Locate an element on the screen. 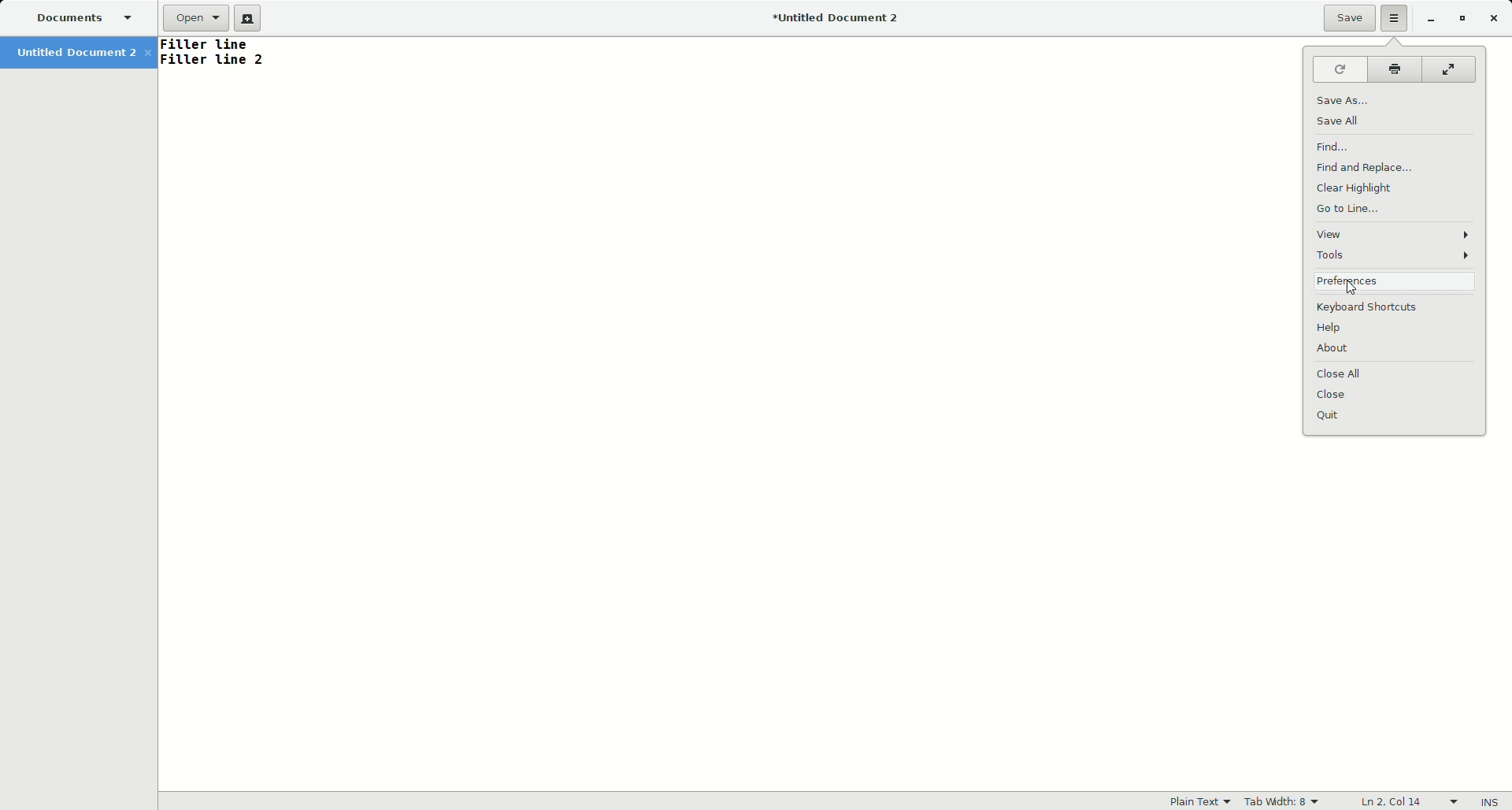 The image size is (1512, 810). Close is located at coordinates (1397, 395).